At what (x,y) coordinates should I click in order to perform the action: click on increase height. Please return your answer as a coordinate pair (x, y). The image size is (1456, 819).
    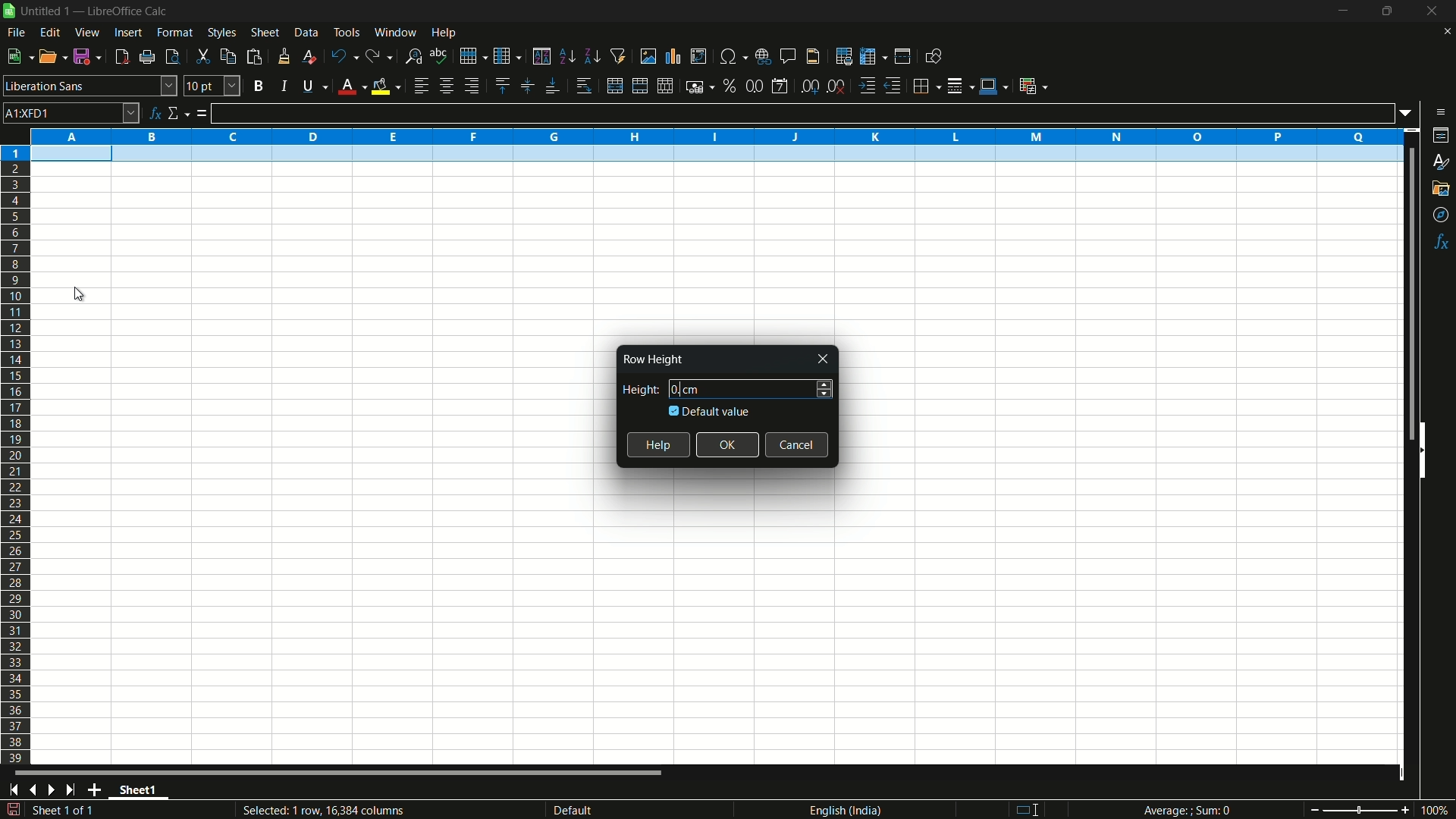
    Looking at the image, I should click on (825, 382).